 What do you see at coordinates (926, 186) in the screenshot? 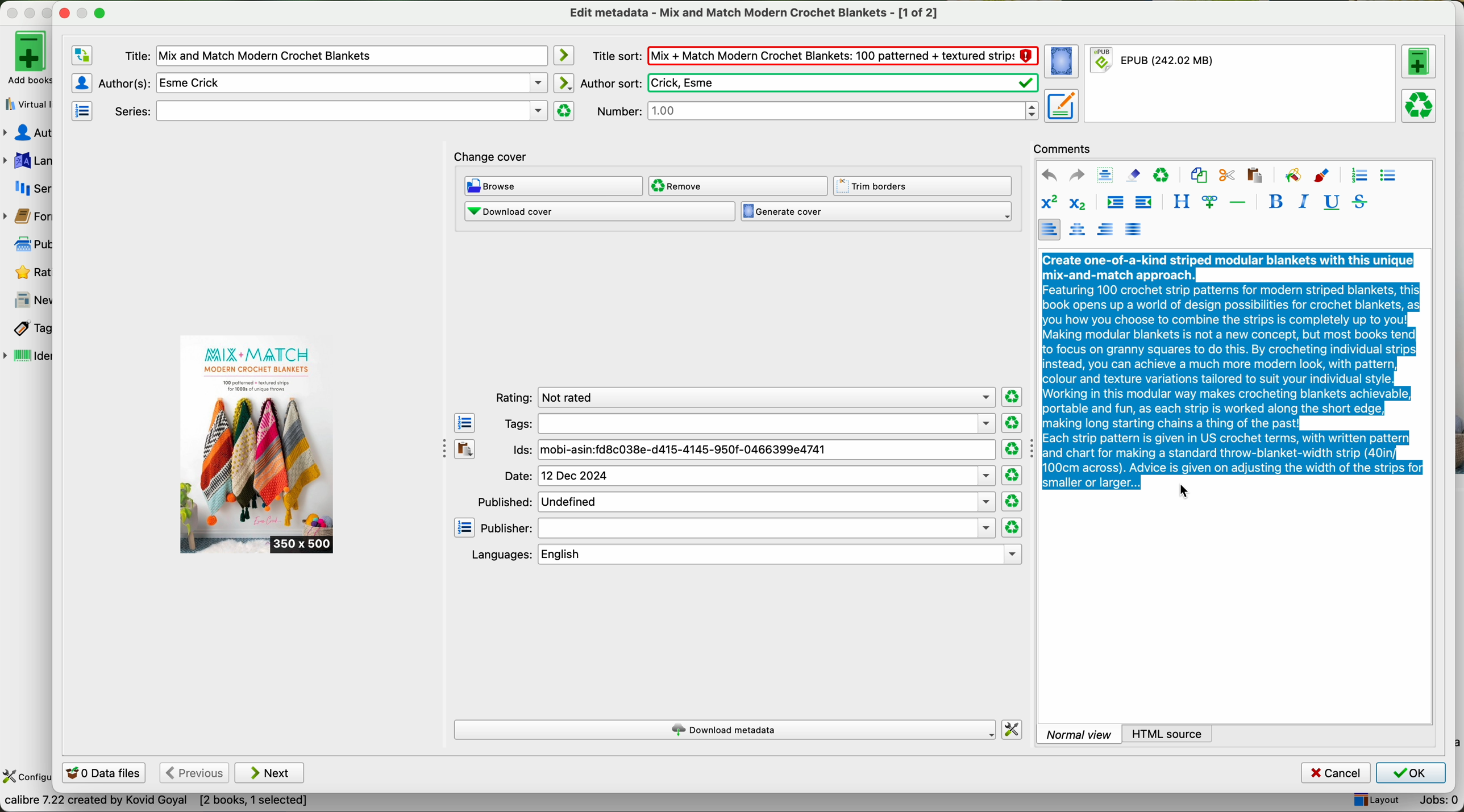
I see `trim borders` at bounding box center [926, 186].